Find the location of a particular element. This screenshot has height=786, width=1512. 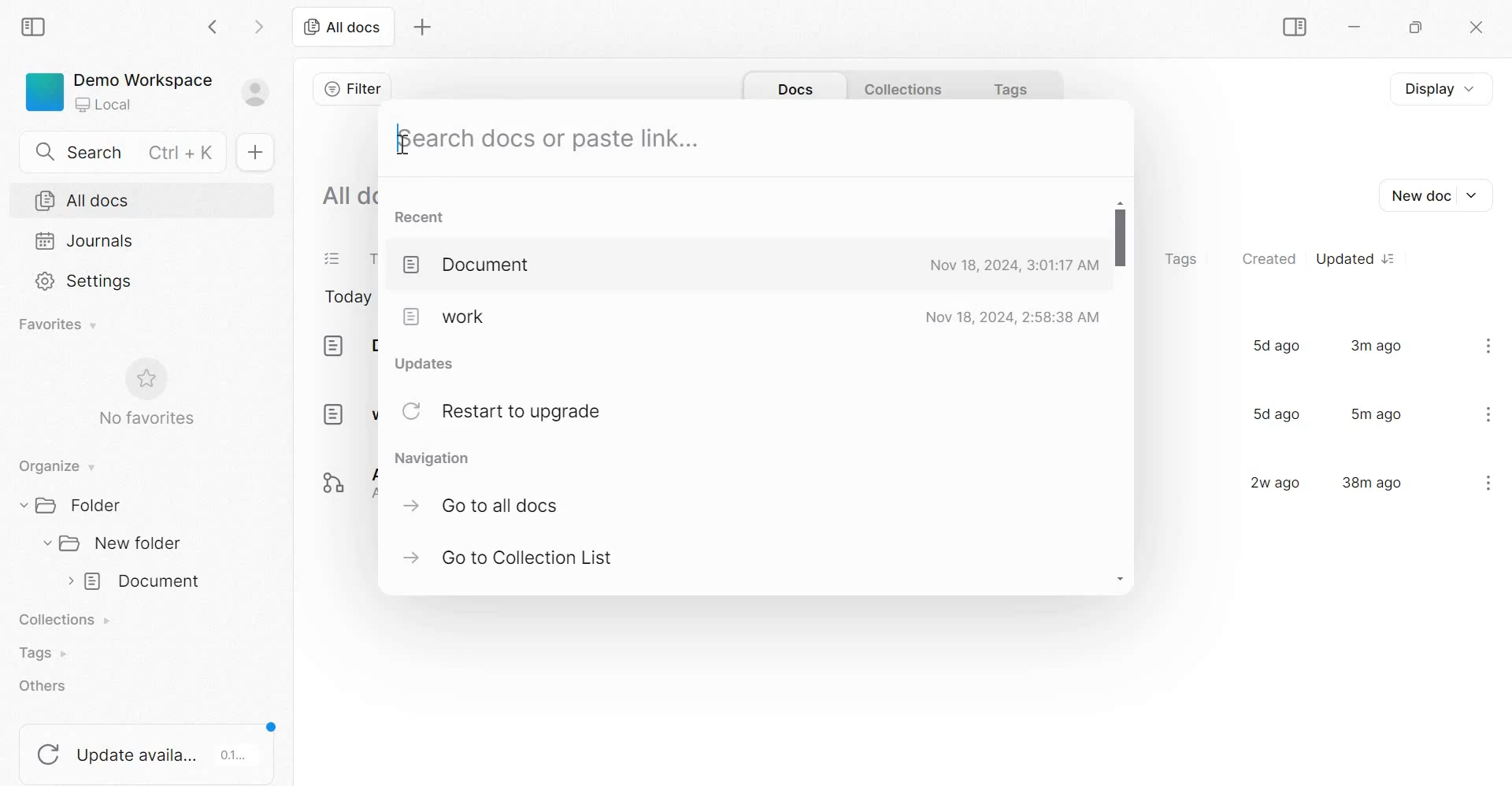

All docs is located at coordinates (83, 201).